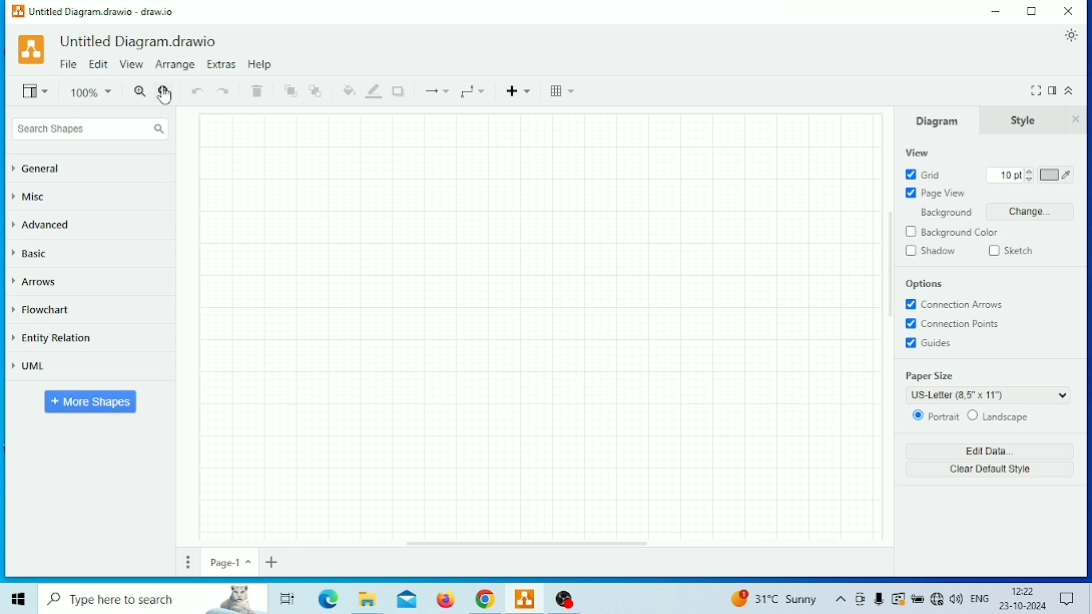 This screenshot has width=1092, height=614. What do you see at coordinates (566, 599) in the screenshot?
I see `OBS Studio` at bounding box center [566, 599].